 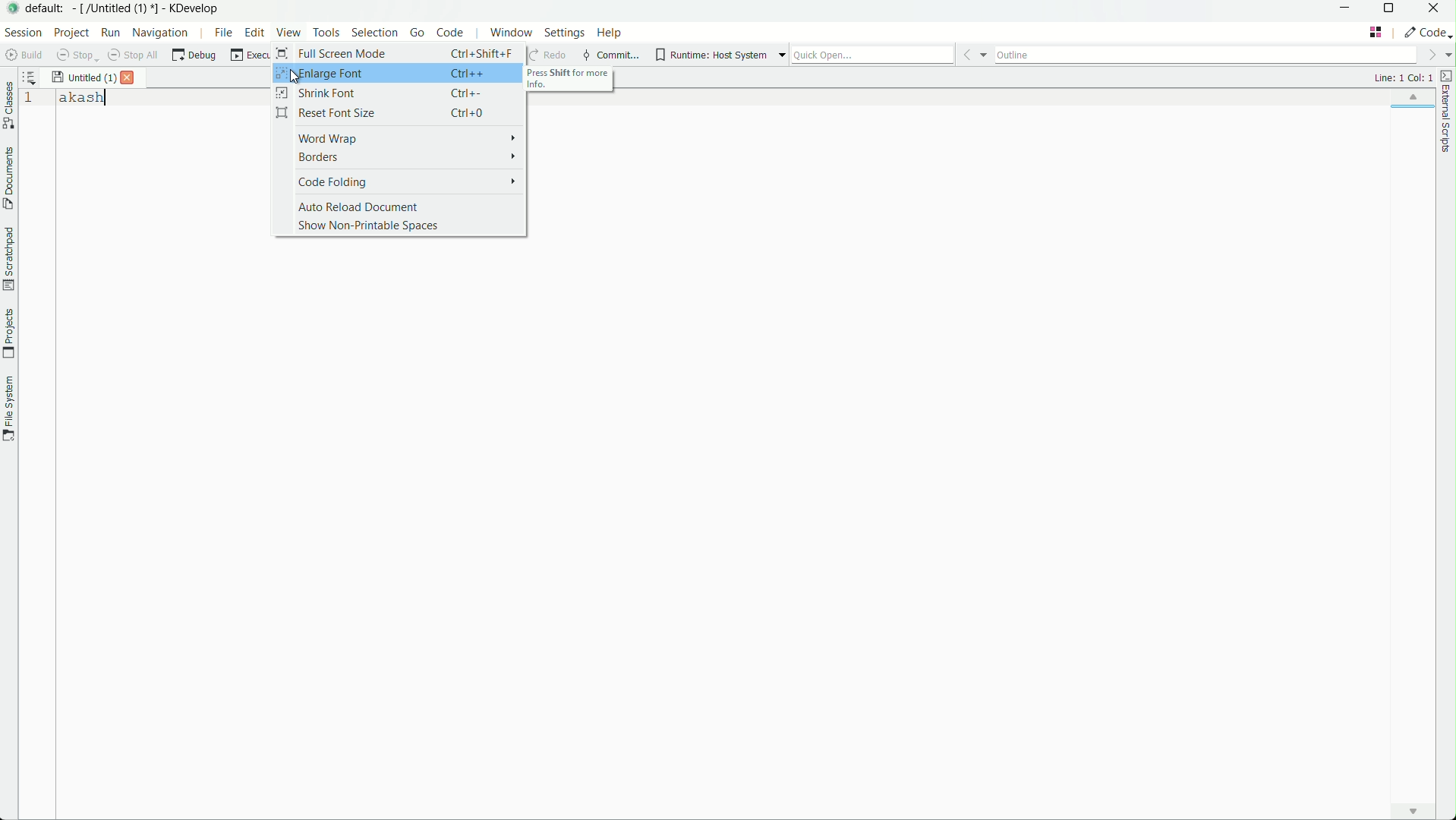 I want to click on stop, so click(x=76, y=55).